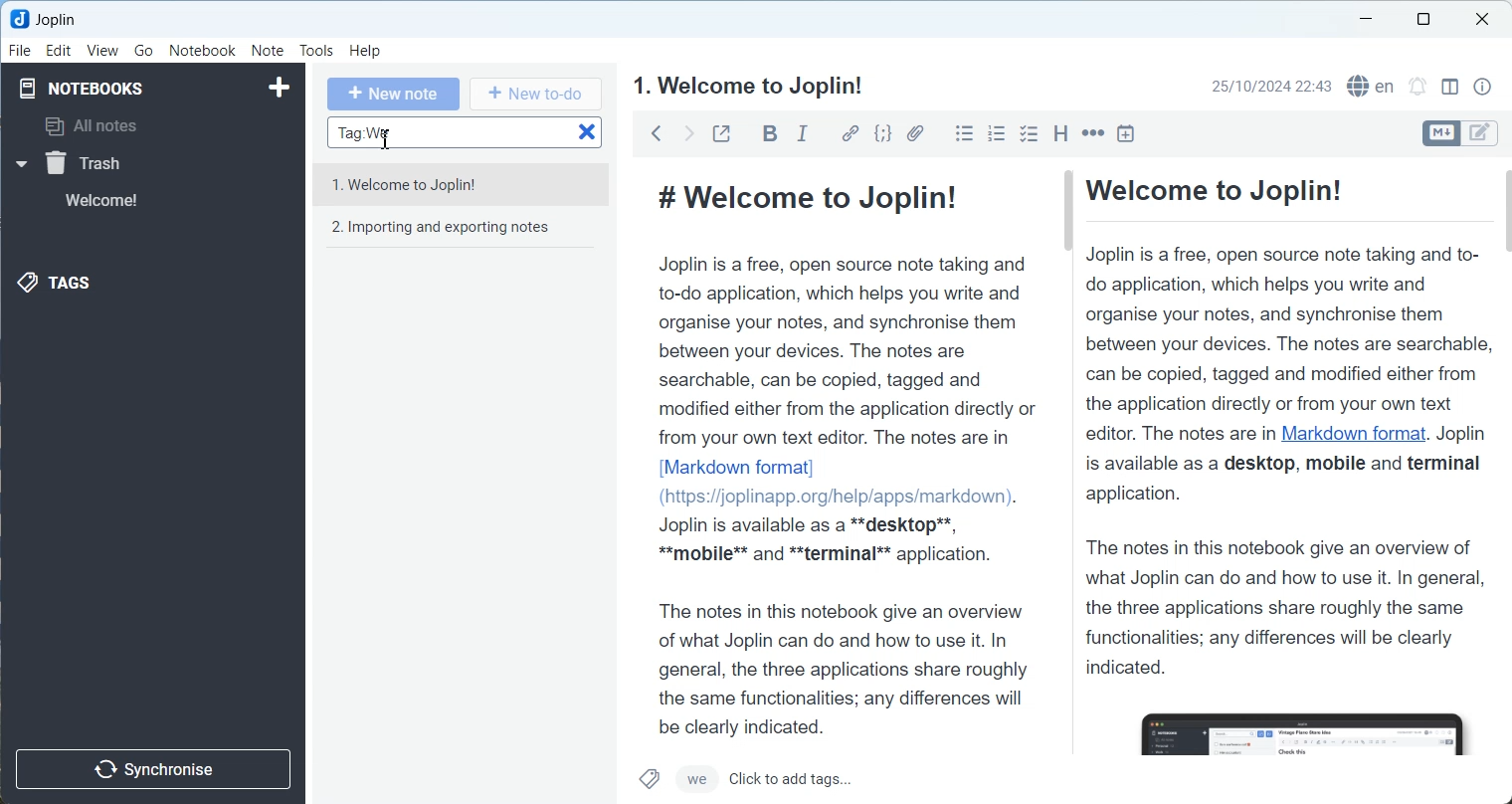 The image size is (1512, 804). Describe the element at coordinates (840, 452) in the screenshot. I see `# Welcome to Joplin!

Joplin is a free, open source note taking and
to-do application, which helps you write and
organise your notes, and synchronise them
between your devices. The notes are
searchable, can be copied, tagged and
modified either from the application directly or
from your own text editor. The notes are in
[Markdown format]
(https://joplinapp.org/help/apps/markdown).
Joplin is available as a **desktop**,
**mobile** and **terminal** application.
The notes in this notebook give an overview
of what Joplin can do and how to use it. In
general, the three applications share roughly
the same functionalities; any differences will
be clearly indicated.` at that location.